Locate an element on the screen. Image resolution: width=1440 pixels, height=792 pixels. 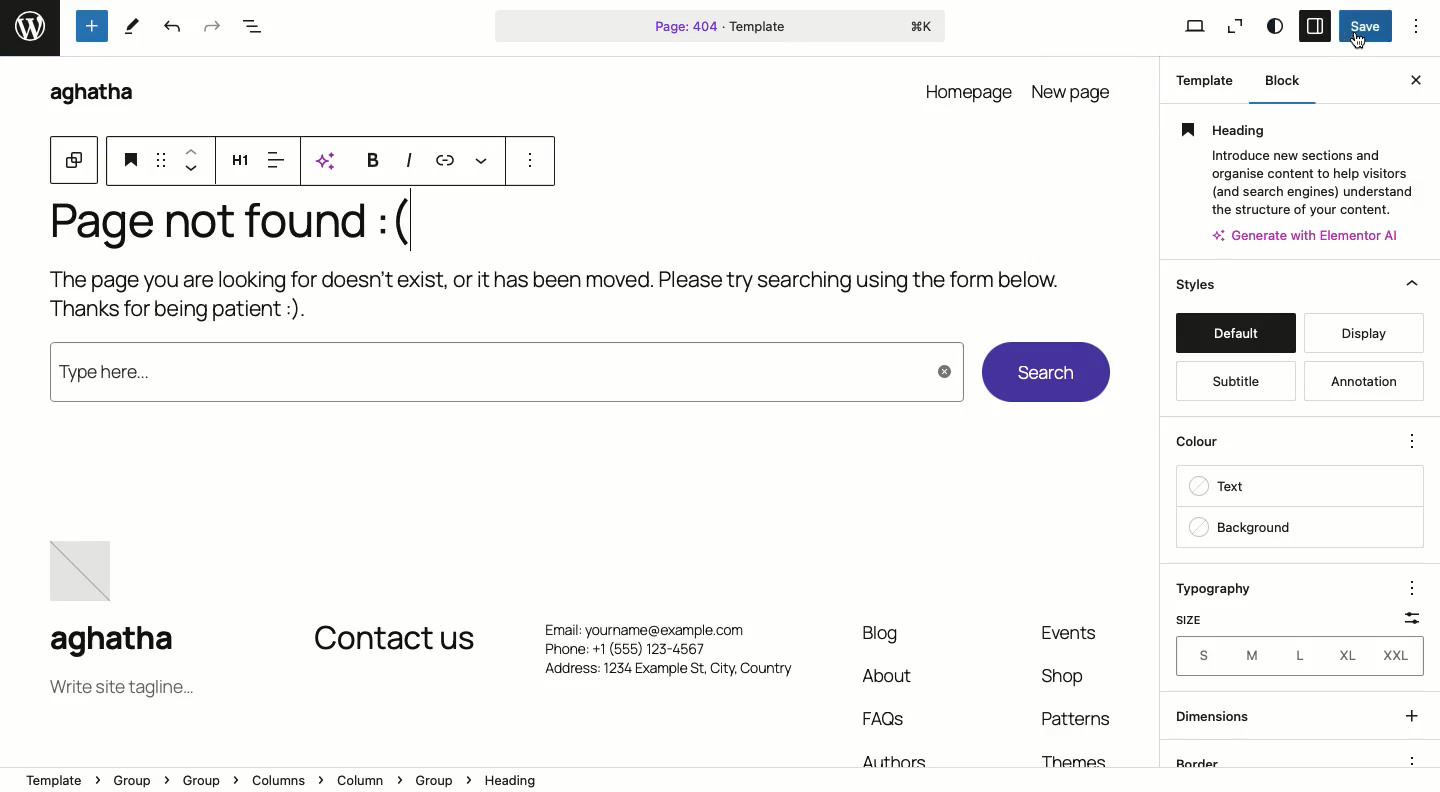
Style is located at coordinates (1276, 27).